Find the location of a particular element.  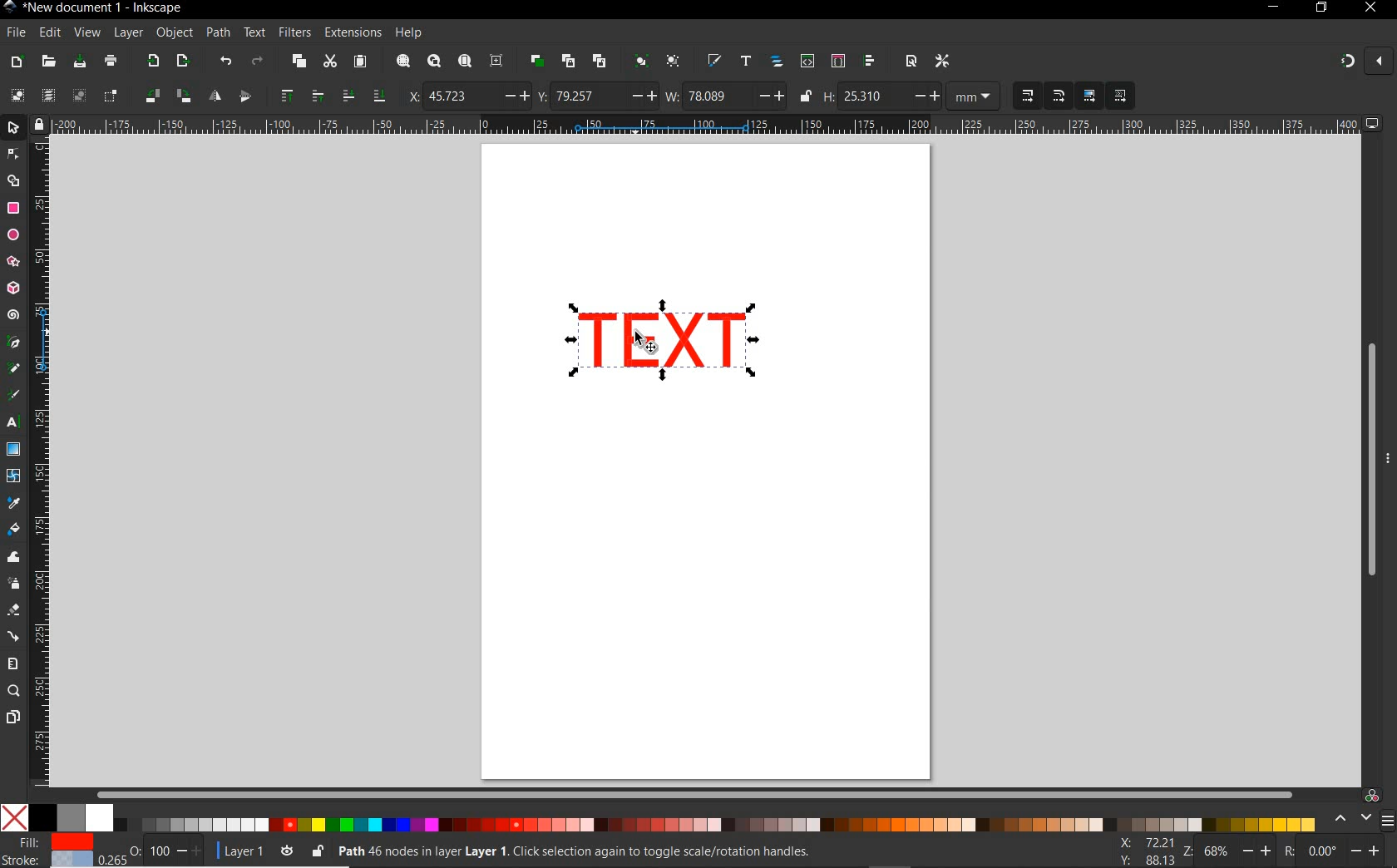

CALLIGRAPHY TOOL is located at coordinates (16, 397).